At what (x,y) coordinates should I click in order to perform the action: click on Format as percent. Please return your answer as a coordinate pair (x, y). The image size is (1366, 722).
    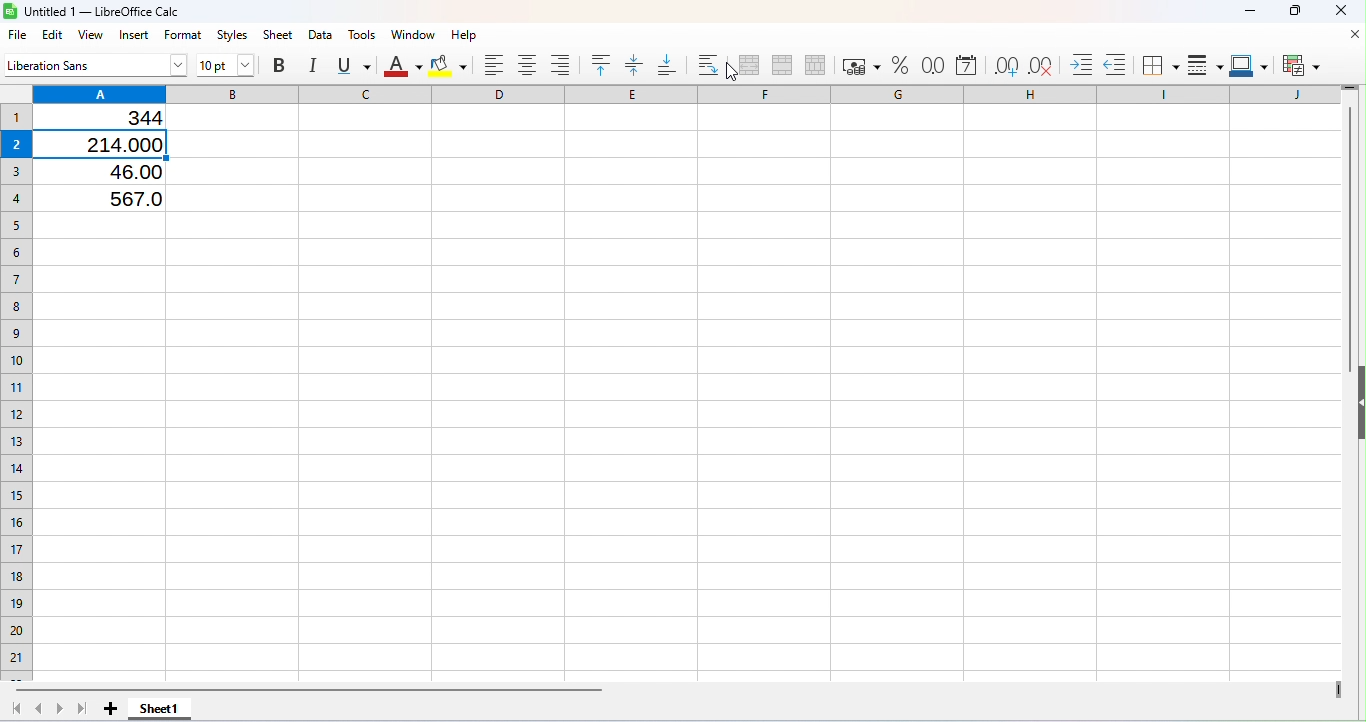
    Looking at the image, I should click on (899, 66).